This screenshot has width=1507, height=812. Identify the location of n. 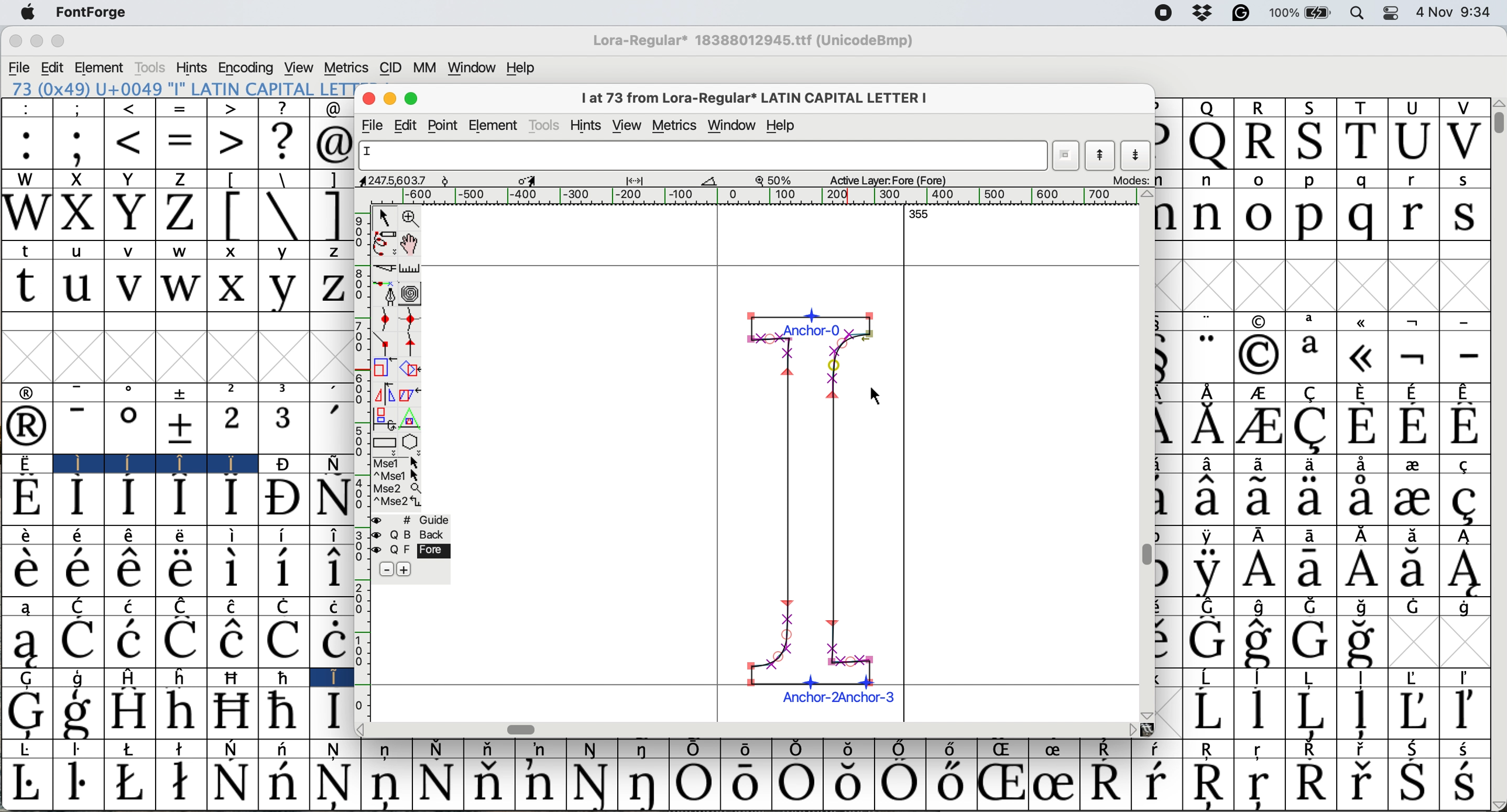
(1210, 216).